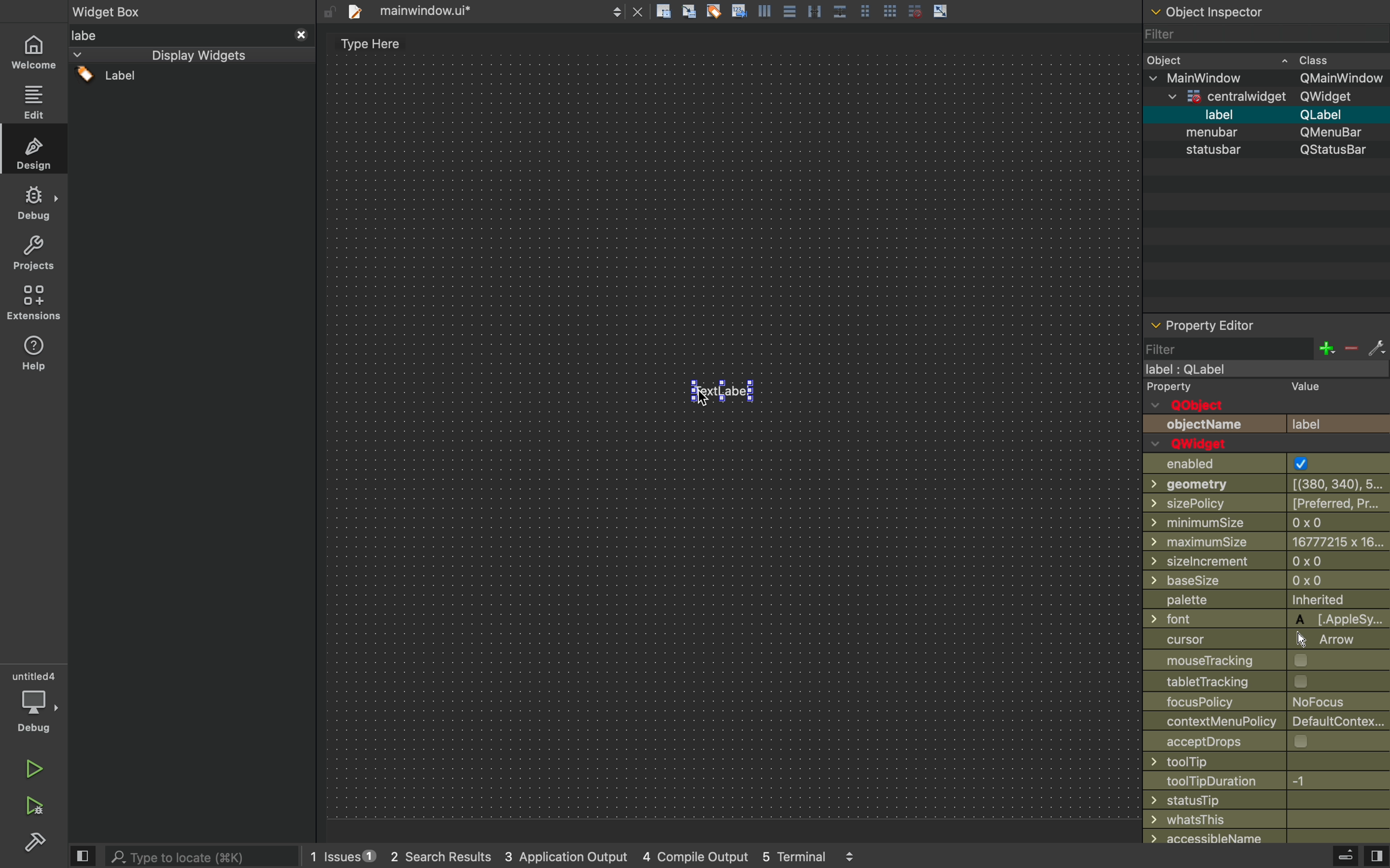  I want to click on logs, so click(609, 858).